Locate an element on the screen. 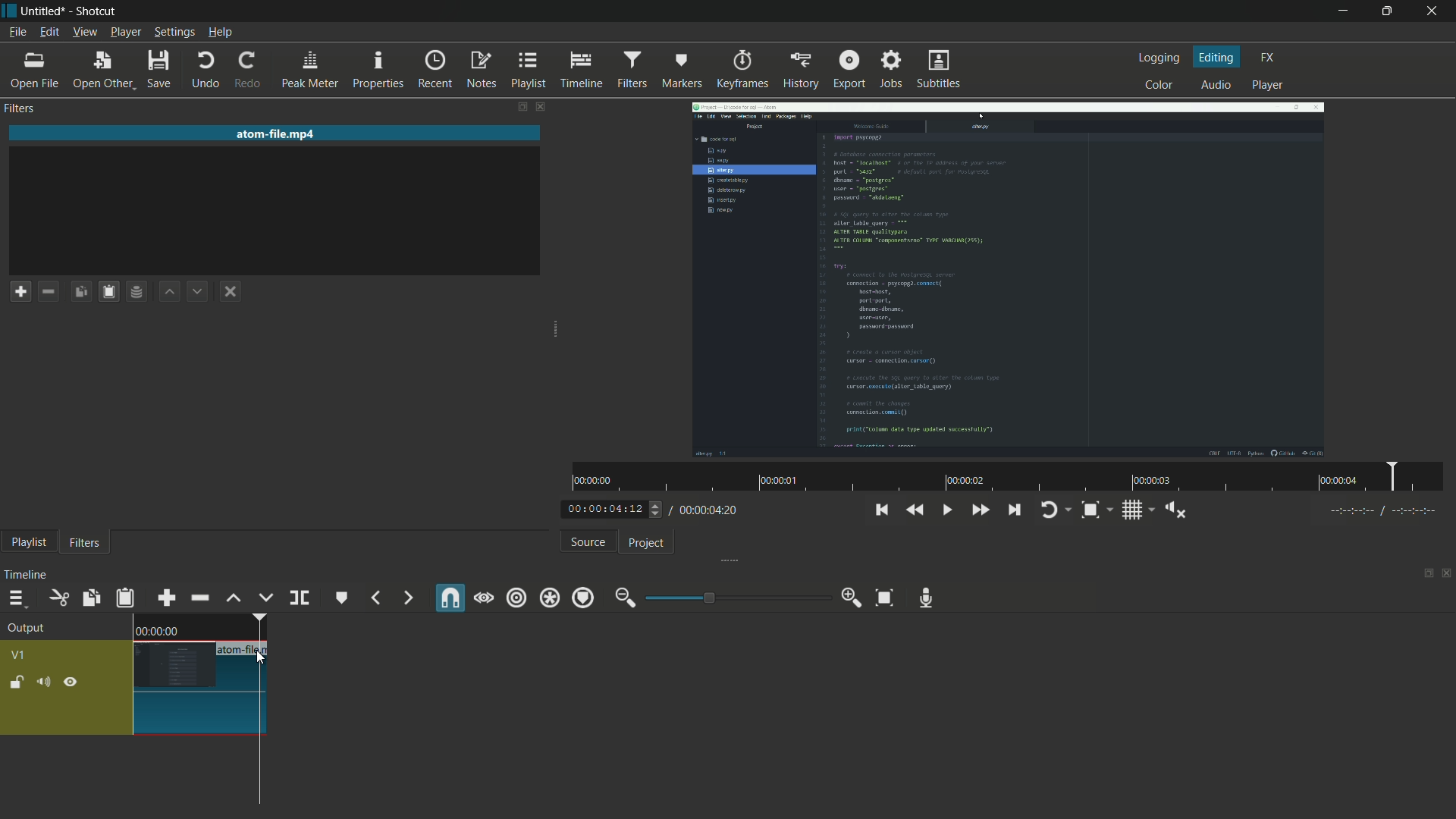 The width and height of the screenshot is (1456, 819). zoom out is located at coordinates (626, 599).